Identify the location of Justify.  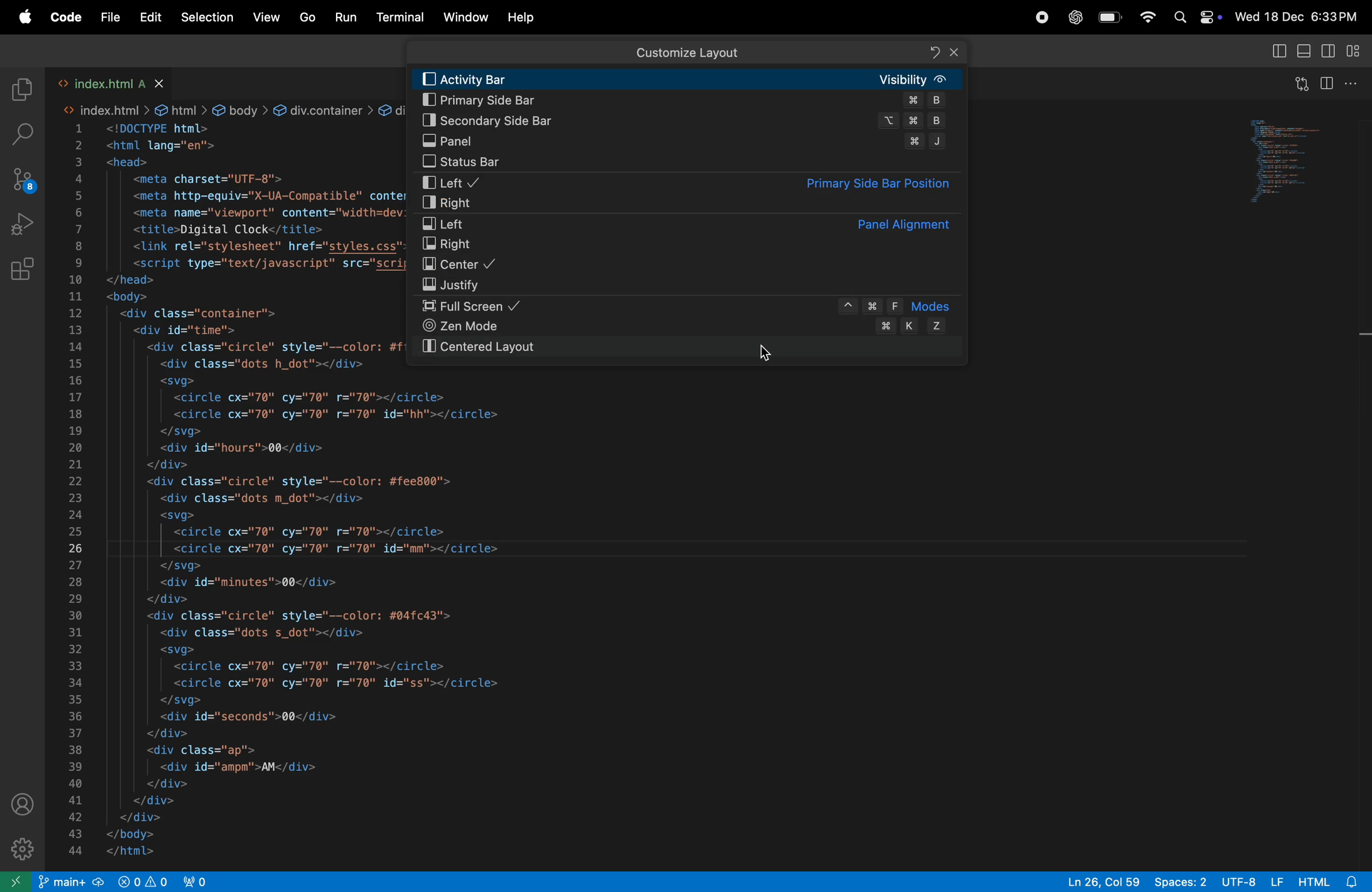
(694, 286).